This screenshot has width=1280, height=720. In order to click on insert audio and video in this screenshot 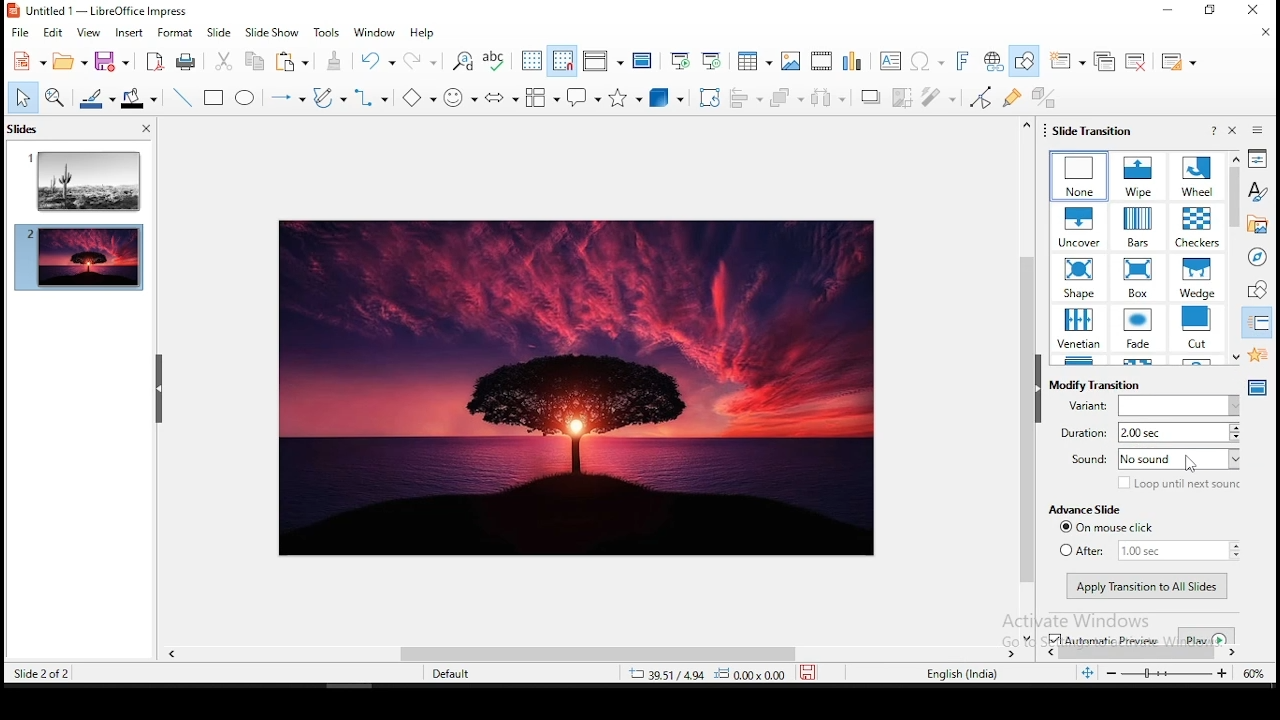, I will do `click(819, 60)`.